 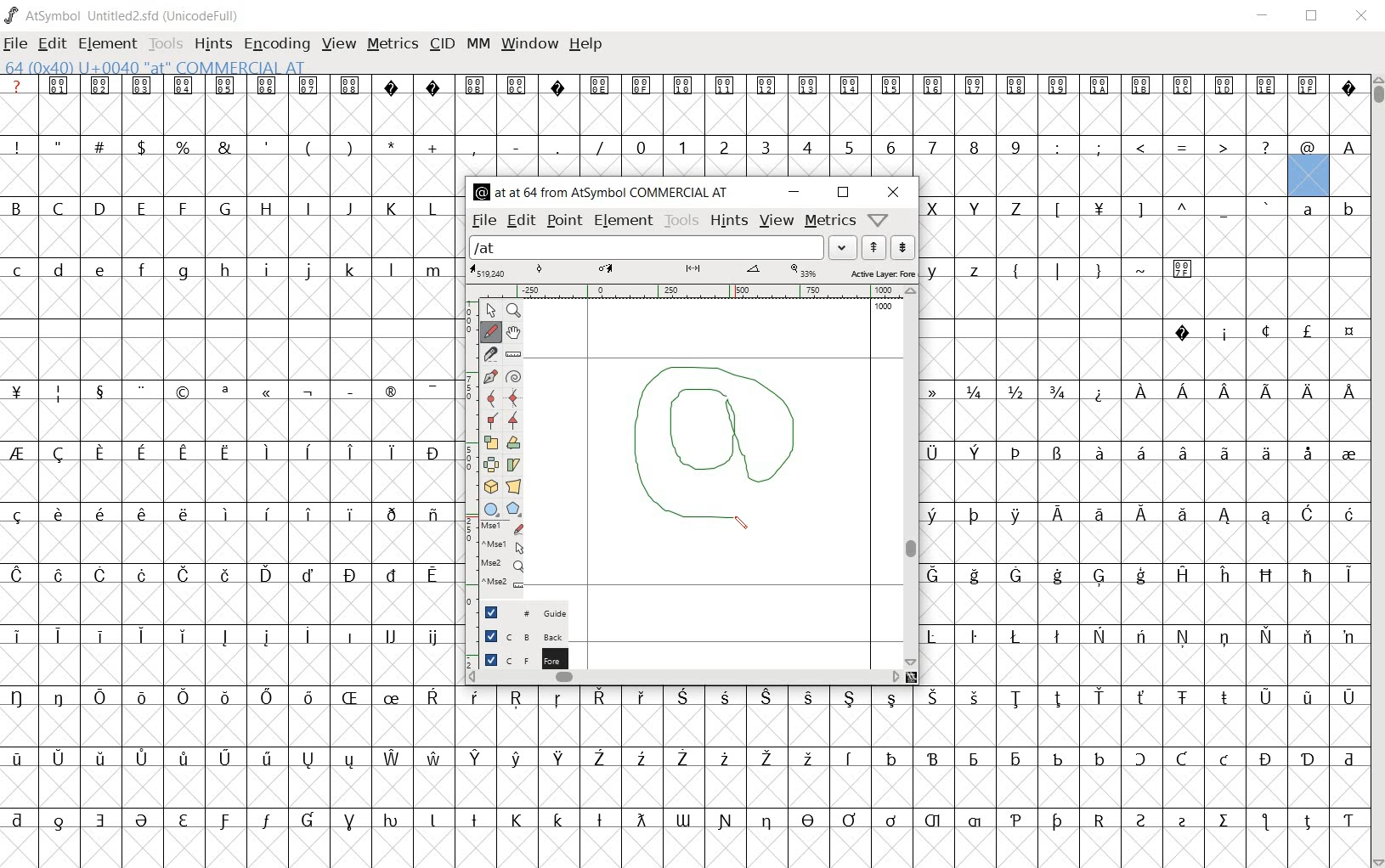 What do you see at coordinates (165, 45) in the screenshot?
I see `TOOLS` at bounding box center [165, 45].